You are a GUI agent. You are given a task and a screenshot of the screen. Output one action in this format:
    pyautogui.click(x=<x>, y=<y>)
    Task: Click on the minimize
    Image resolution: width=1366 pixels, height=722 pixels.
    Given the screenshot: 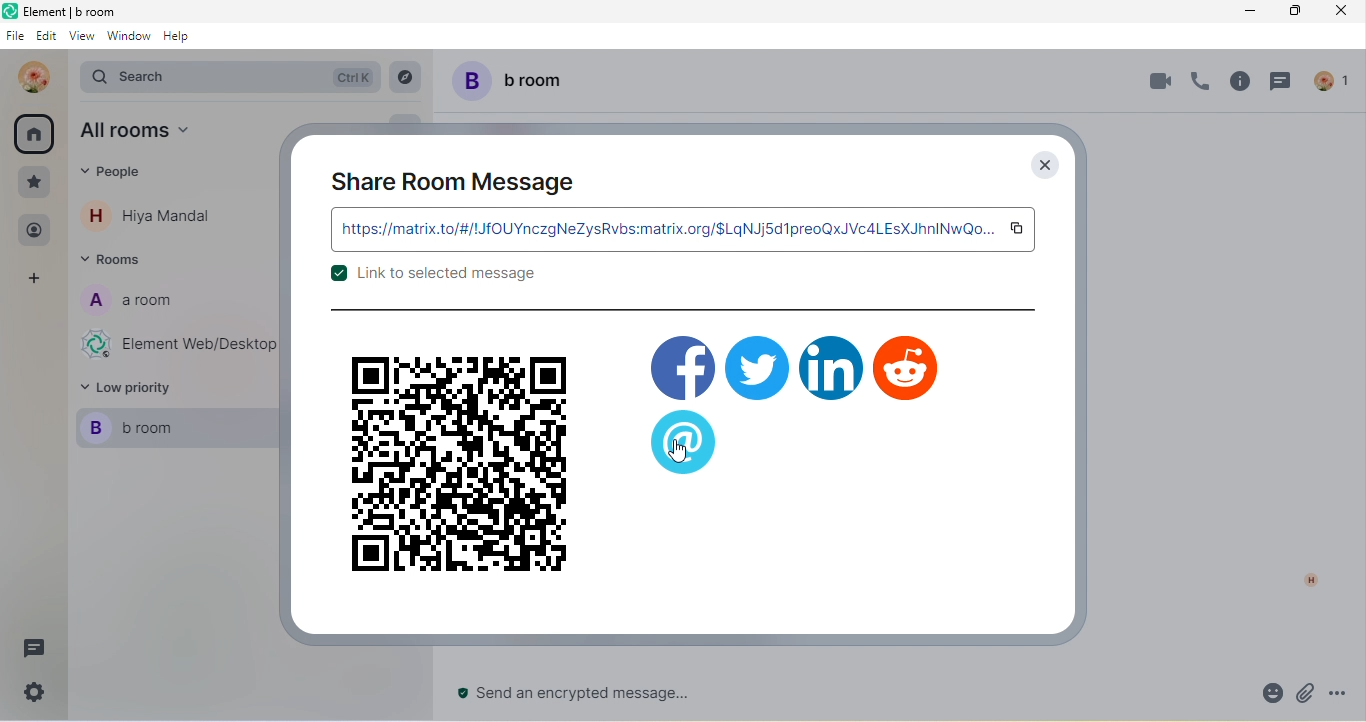 What is the action you would take?
    pyautogui.click(x=1249, y=12)
    